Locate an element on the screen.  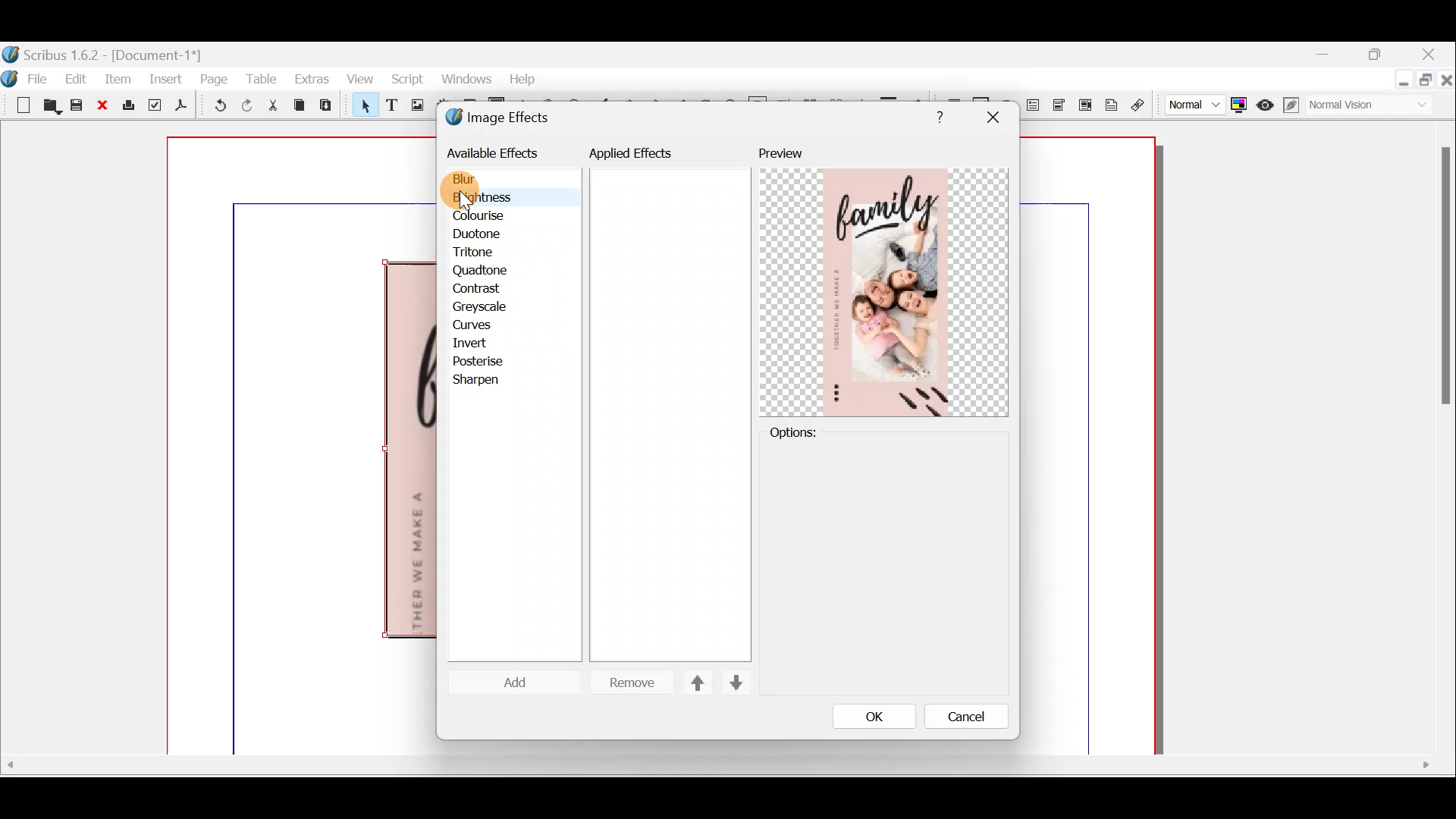
PDF text field is located at coordinates (1034, 105).